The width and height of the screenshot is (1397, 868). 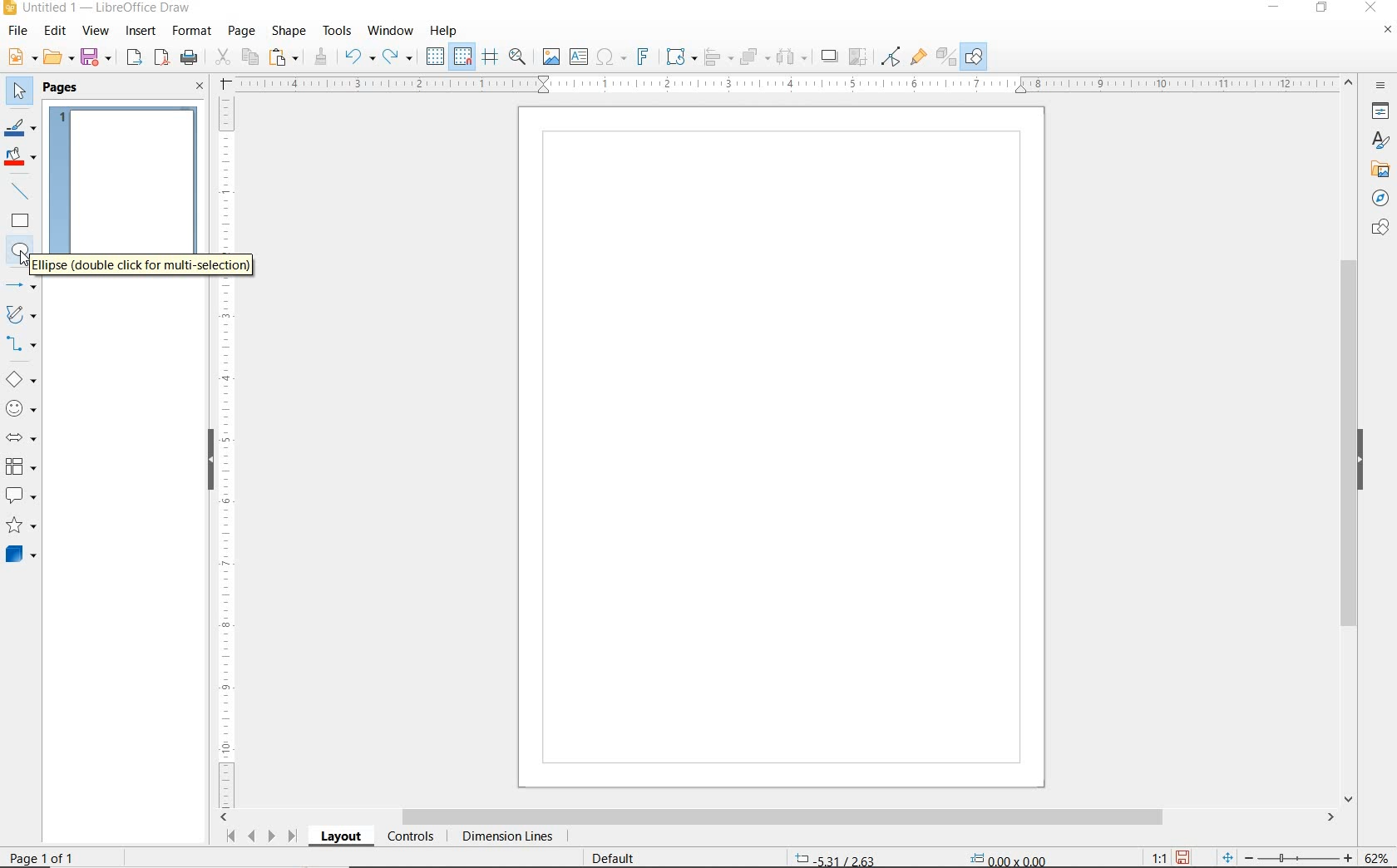 What do you see at coordinates (193, 31) in the screenshot?
I see `FORMAT` at bounding box center [193, 31].